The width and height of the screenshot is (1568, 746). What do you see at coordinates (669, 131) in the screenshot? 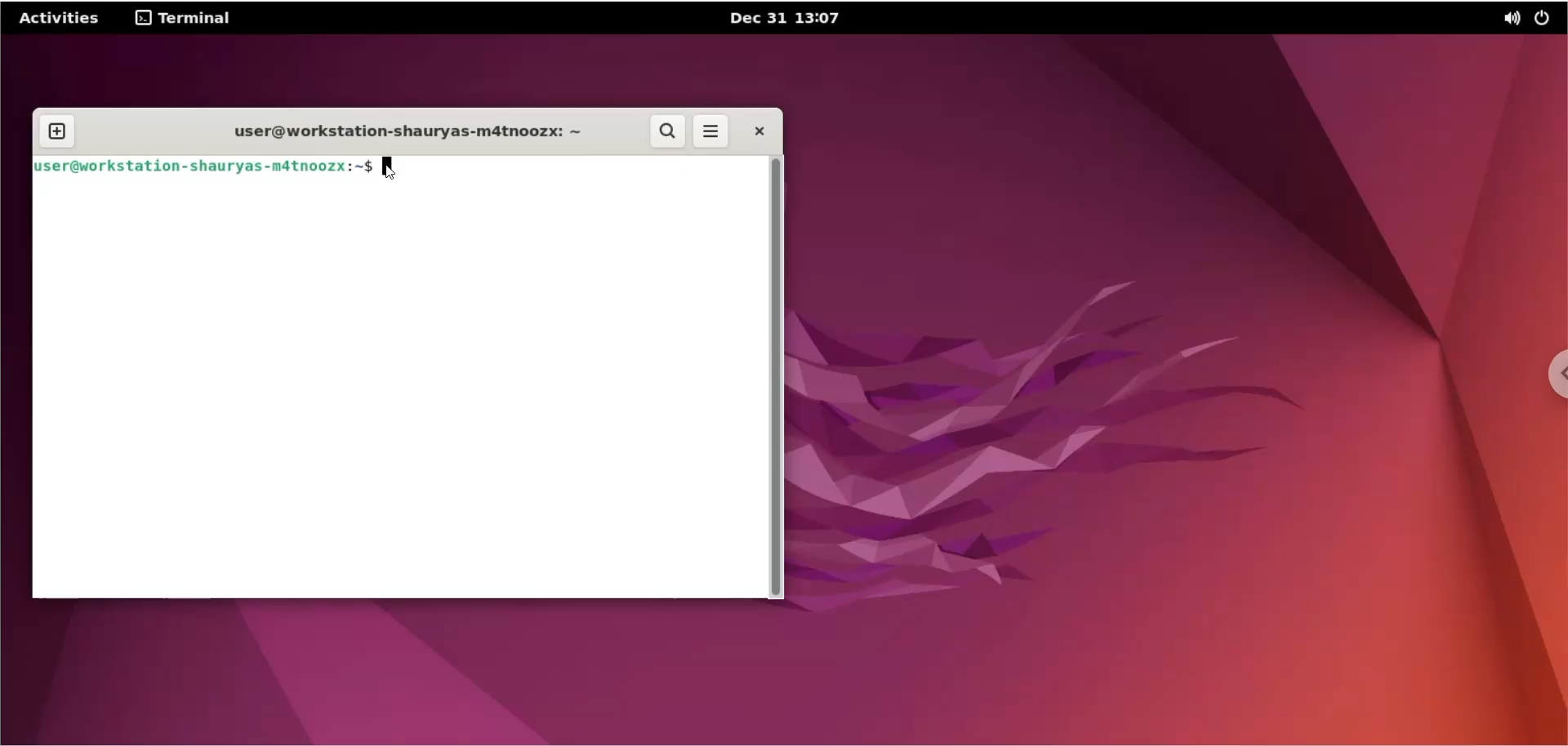
I see `search` at bounding box center [669, 131].